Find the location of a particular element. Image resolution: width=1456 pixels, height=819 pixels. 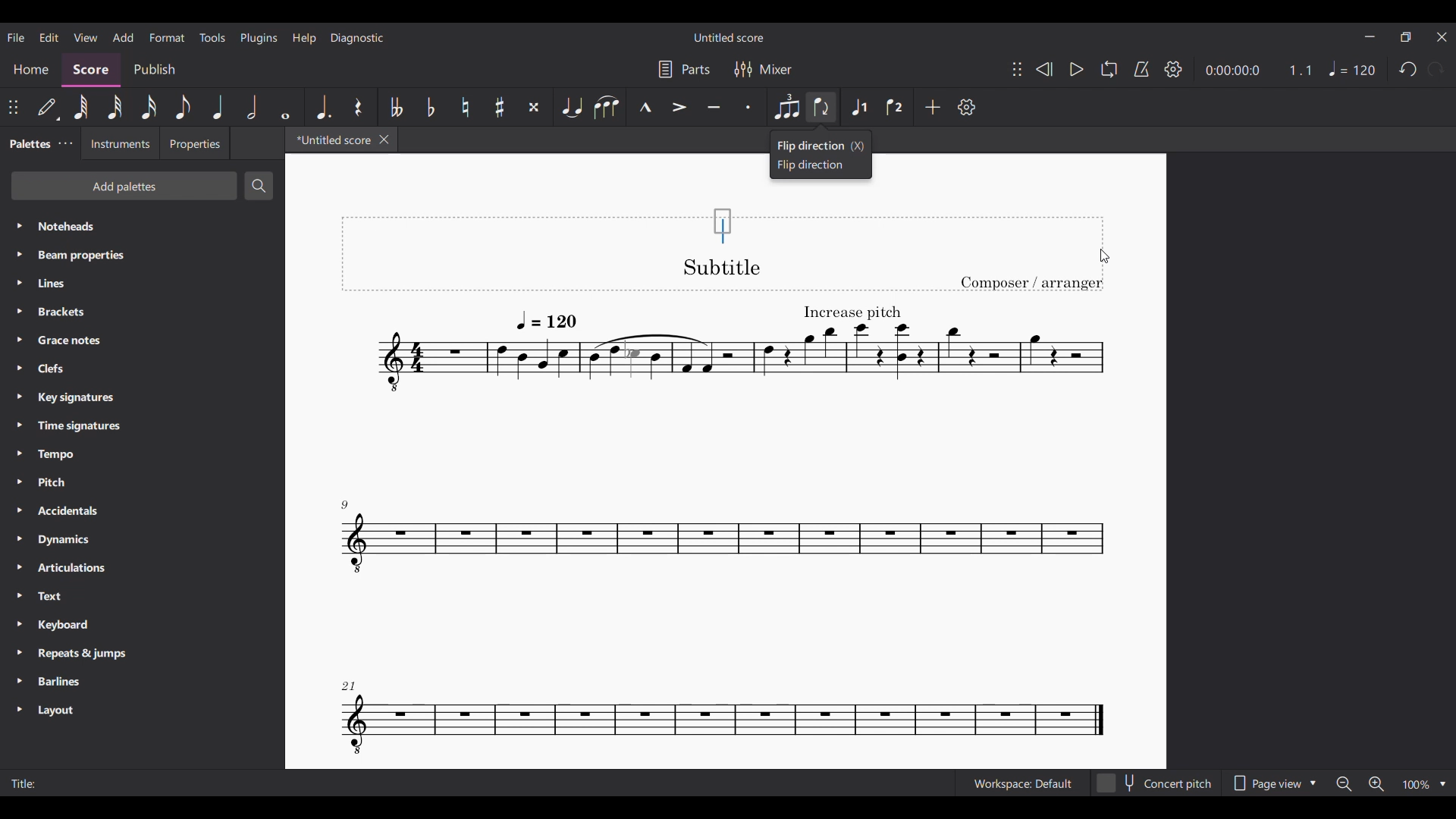

Toggle double sharp is located at coordinates (534, 107).